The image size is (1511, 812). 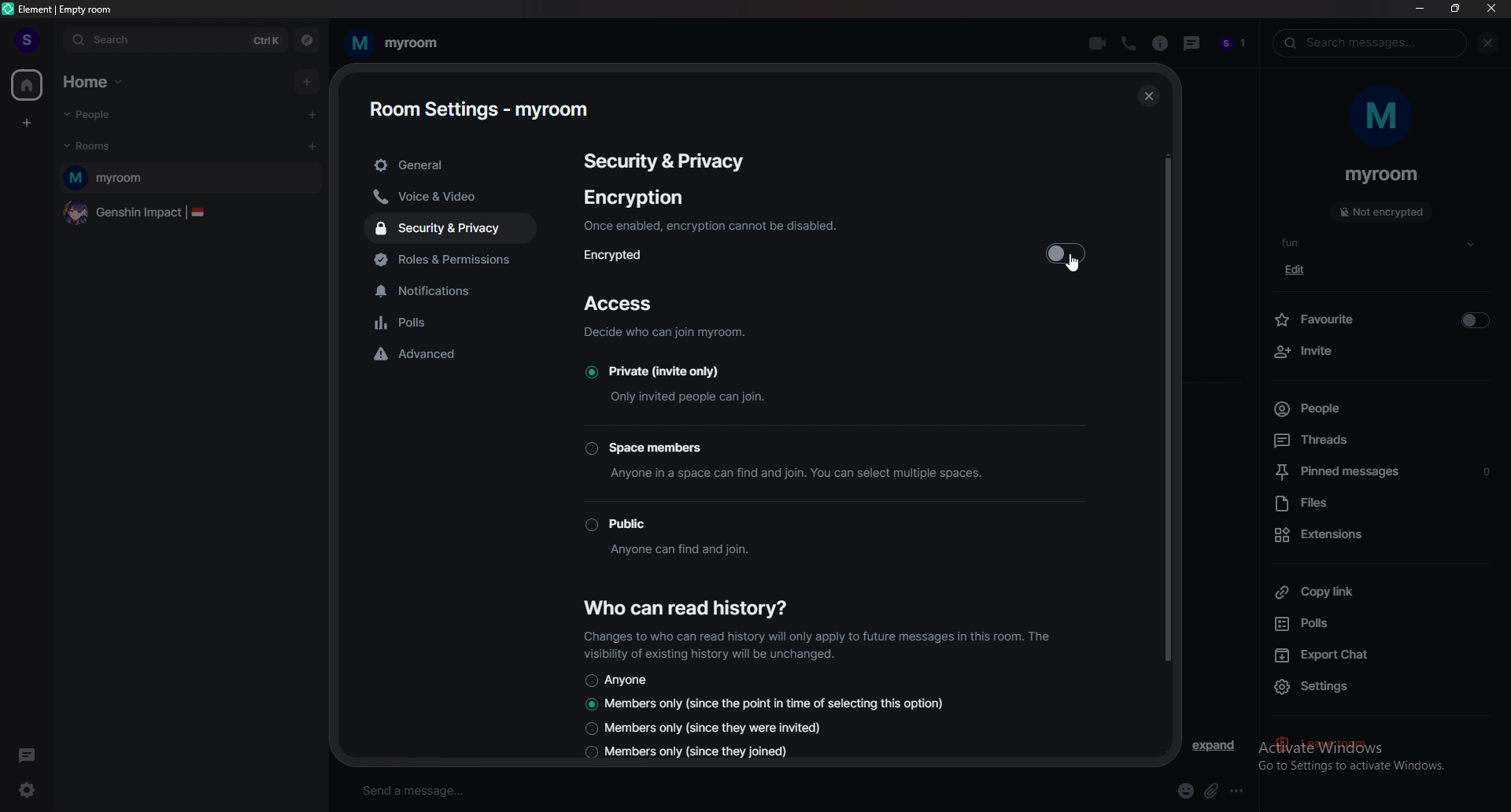 I want to click on m, so click(x=1384, y=121).